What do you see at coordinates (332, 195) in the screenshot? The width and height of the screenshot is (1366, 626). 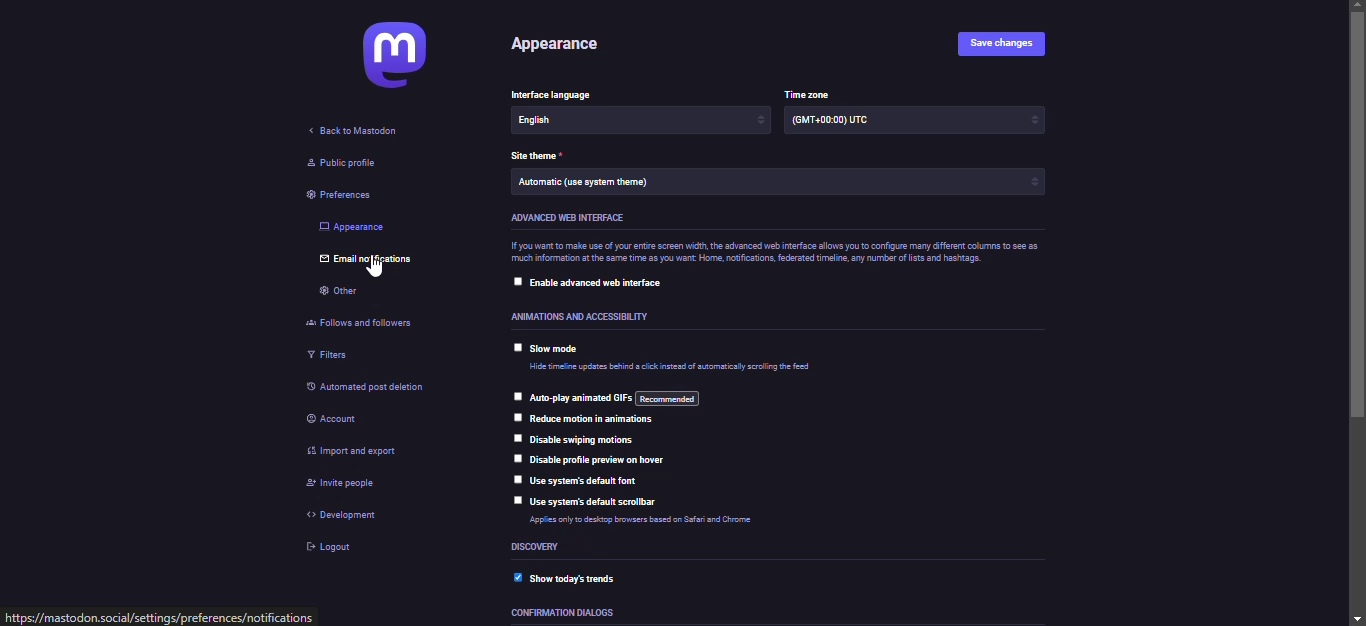 I see `preferences` at bounding box center [332, 195].